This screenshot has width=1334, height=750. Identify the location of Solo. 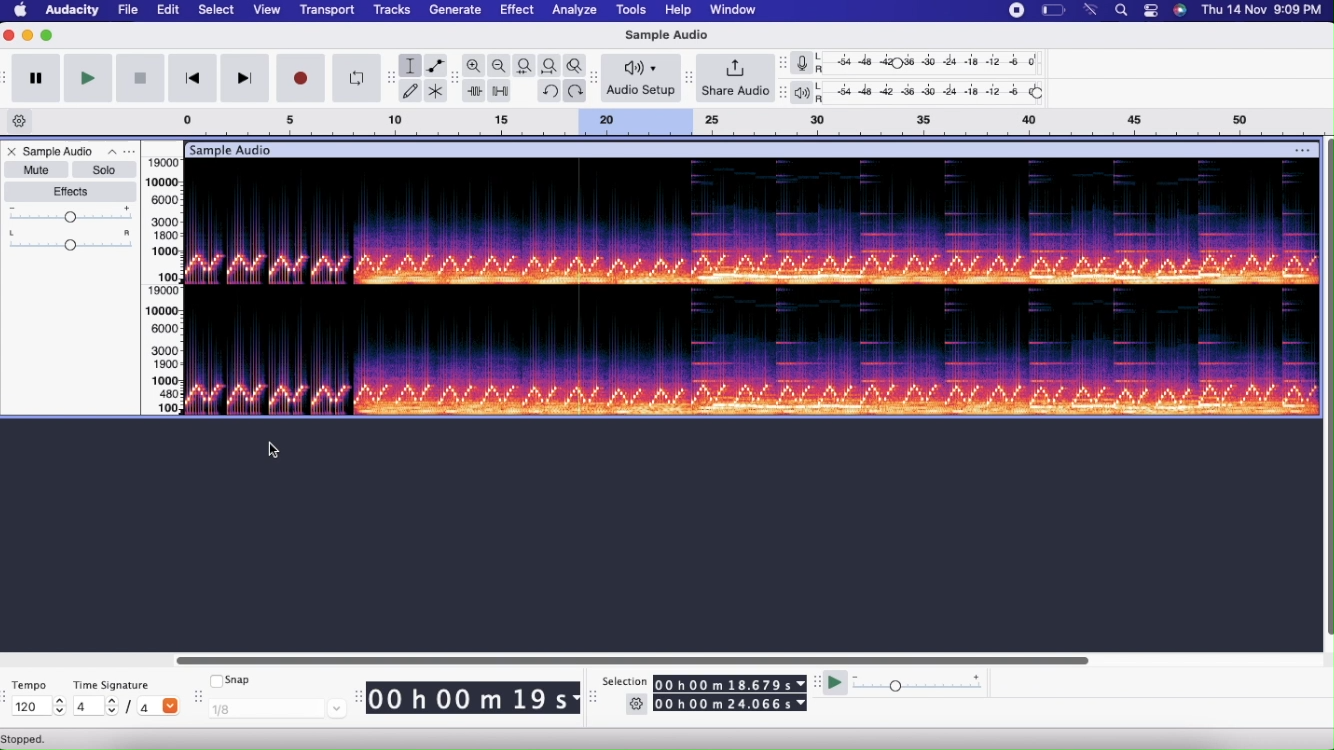
(105, 169).